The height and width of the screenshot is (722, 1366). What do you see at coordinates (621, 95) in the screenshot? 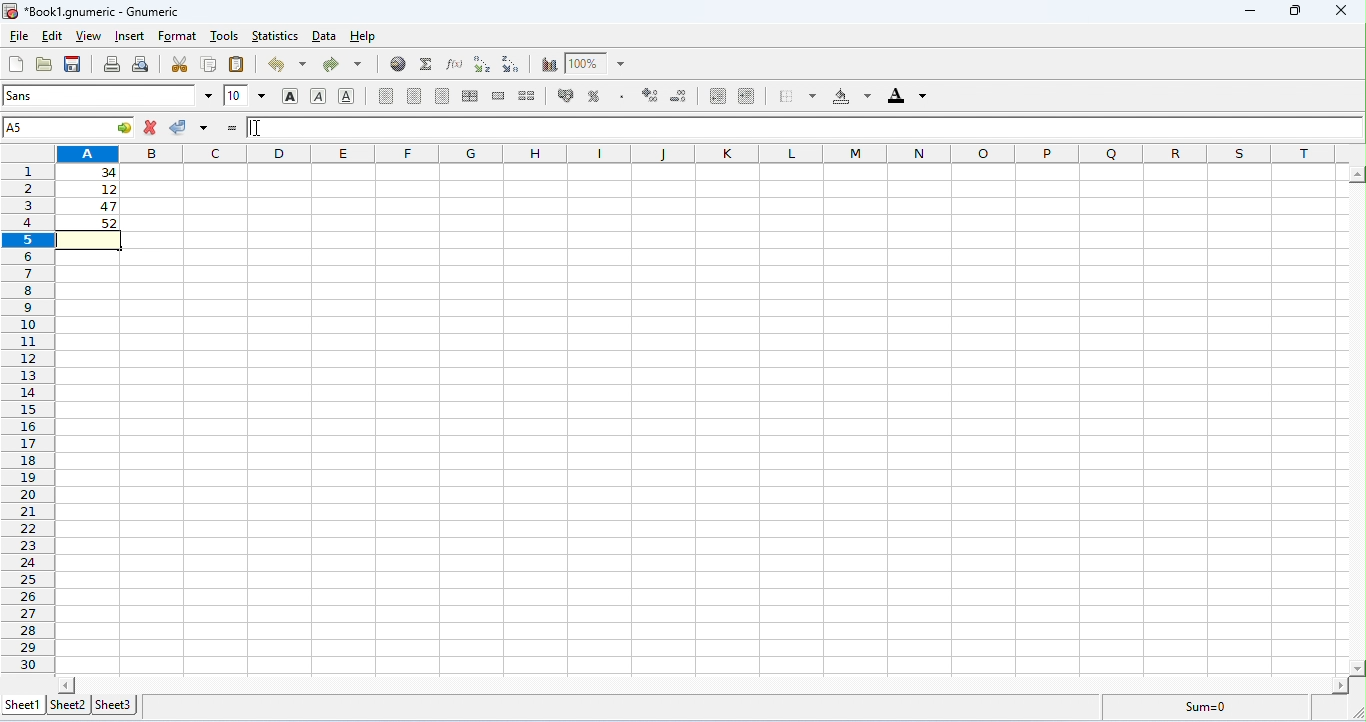
I see `includes a thousands separator` at bounding box center [621, 95].